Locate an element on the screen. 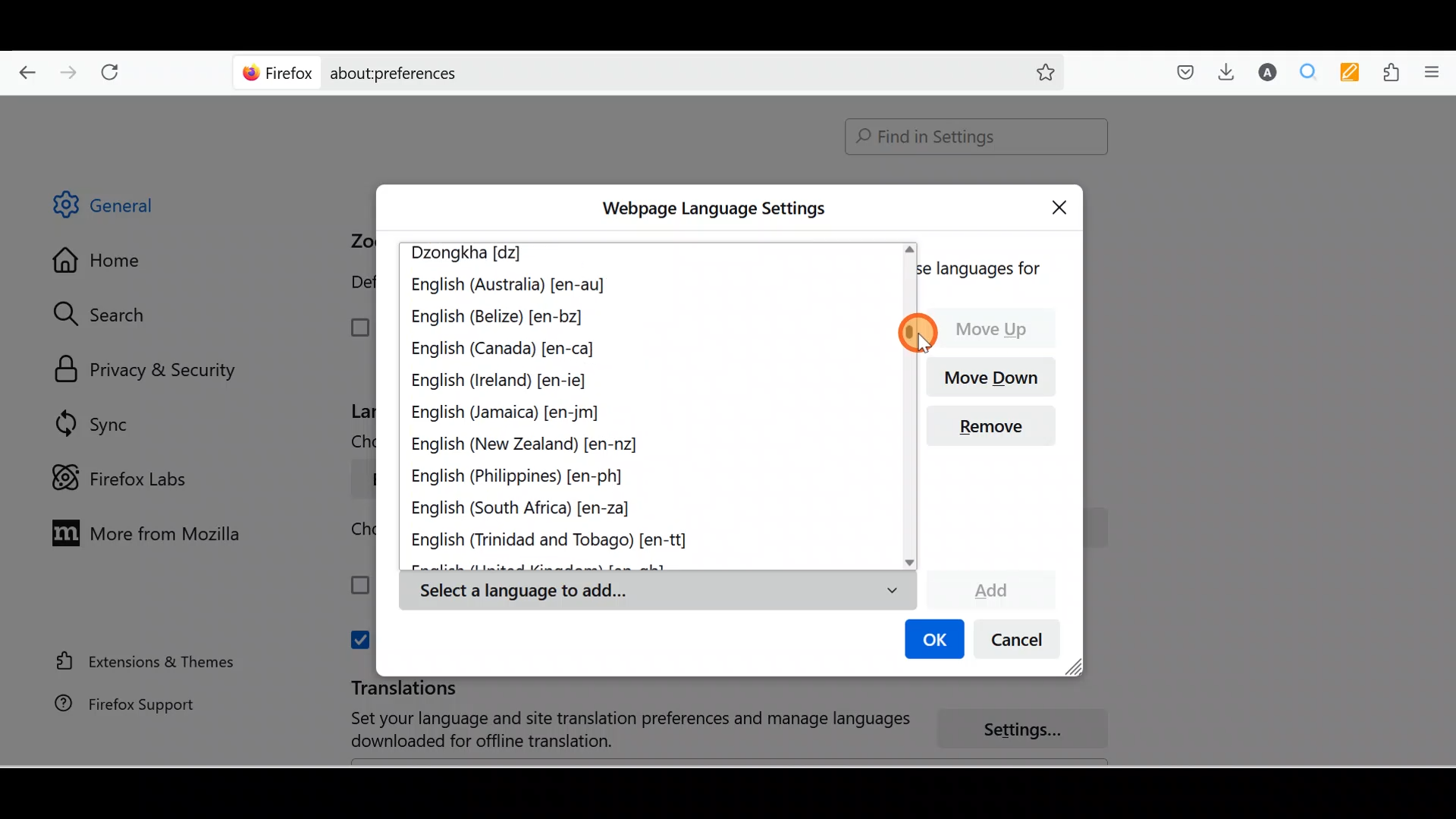 The height and width of the screenshot is (819, 1456). Home is located at coordinates (108, 264).